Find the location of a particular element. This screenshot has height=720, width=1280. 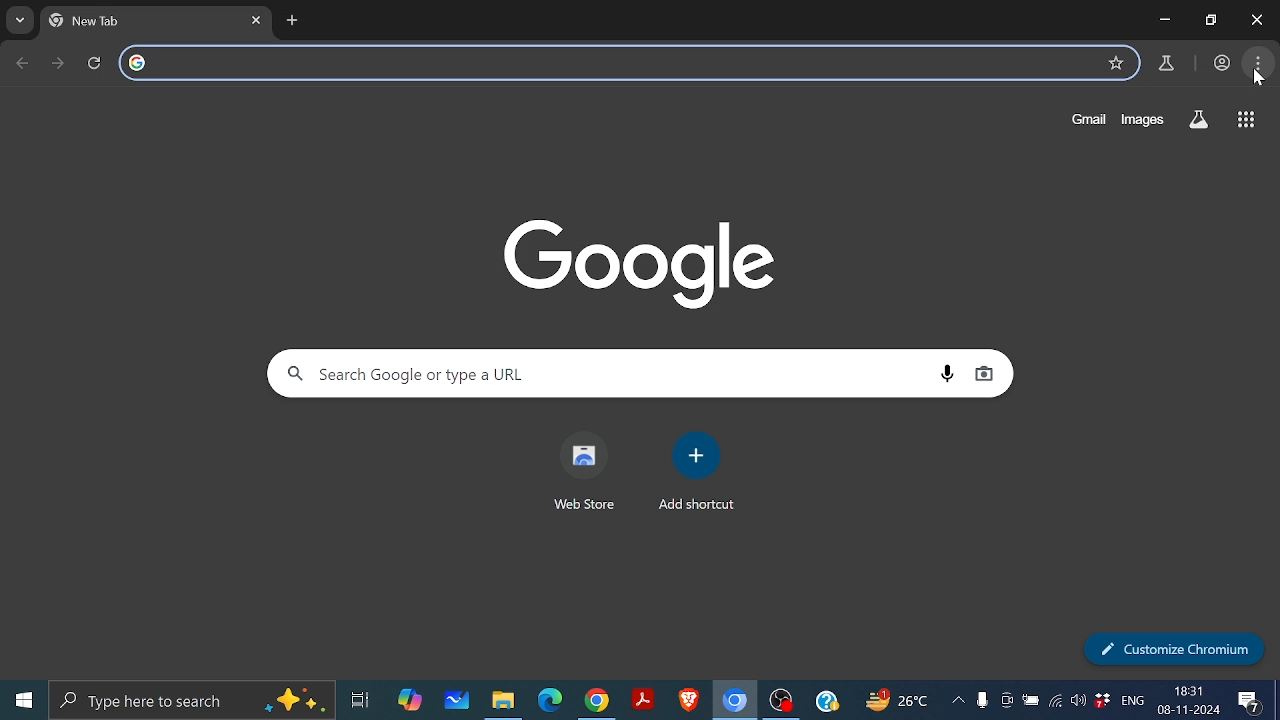

Reload is located at coordinates (100, 63).